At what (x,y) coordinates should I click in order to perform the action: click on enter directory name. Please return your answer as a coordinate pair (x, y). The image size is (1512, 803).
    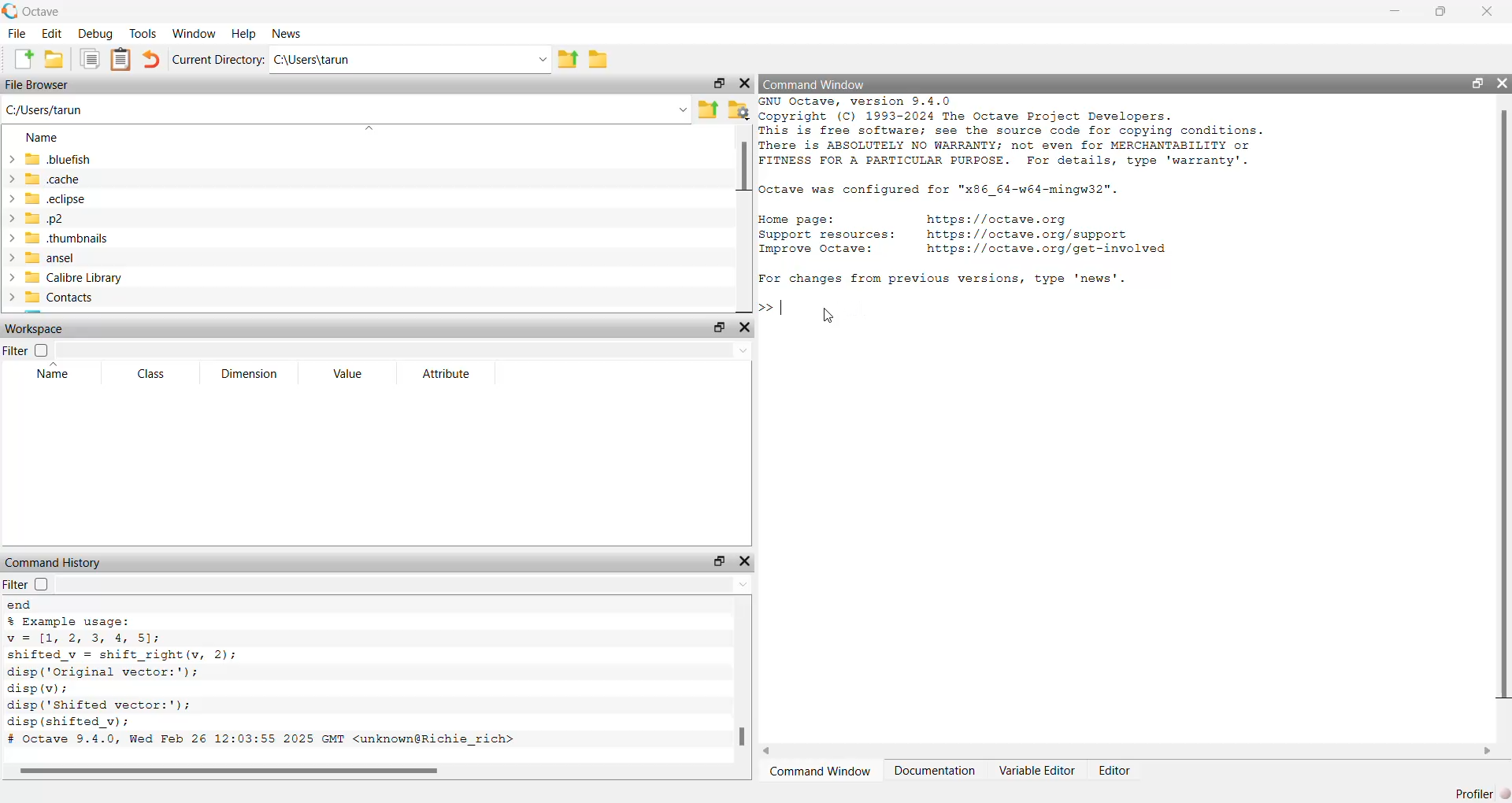
    Looking at the image, I should click on (411, 62).